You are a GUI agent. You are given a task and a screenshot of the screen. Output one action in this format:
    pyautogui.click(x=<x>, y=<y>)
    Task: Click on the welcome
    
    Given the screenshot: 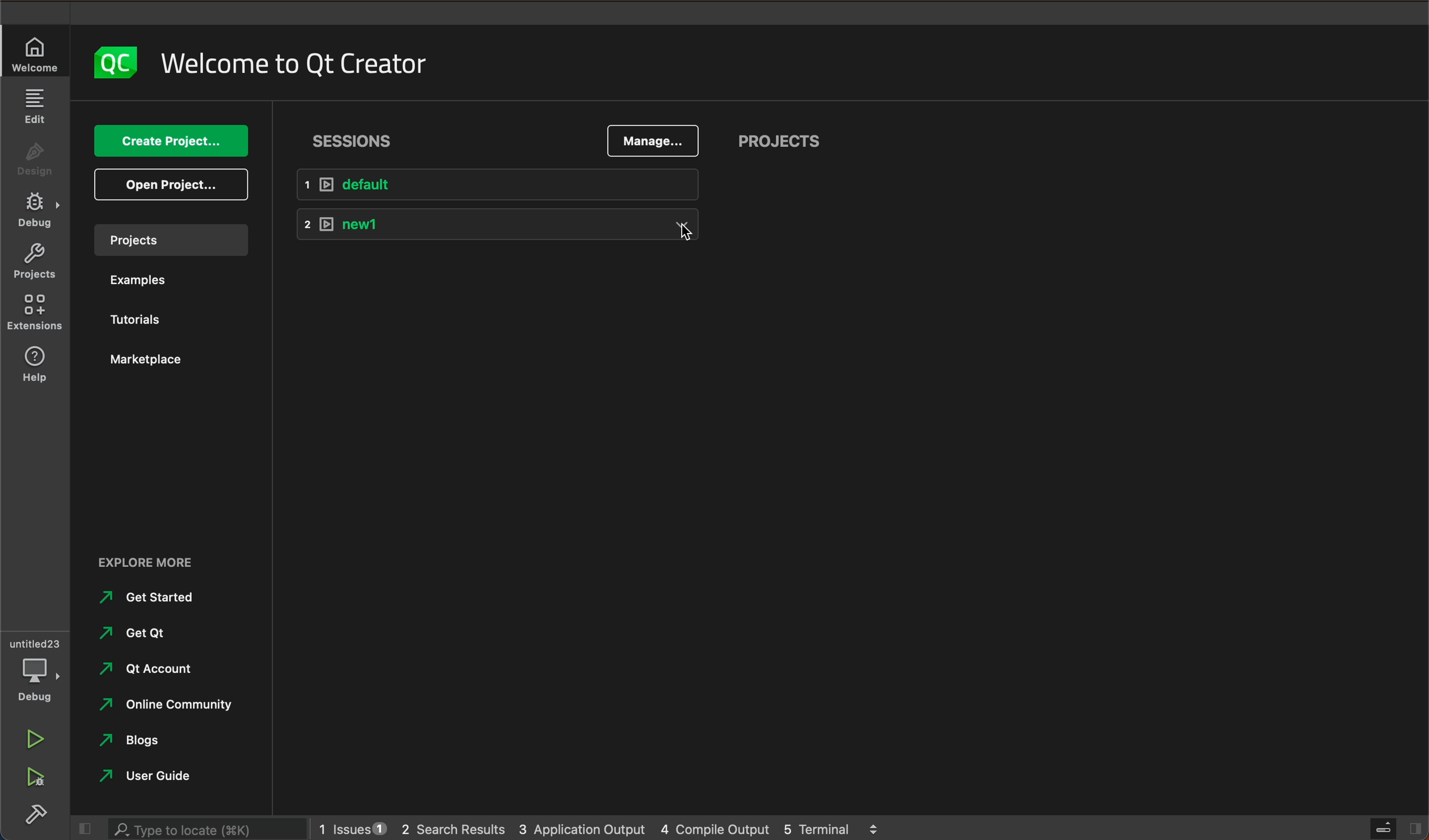 What is the action you would take?
    pyautogui.click(x=293, y=60)
    